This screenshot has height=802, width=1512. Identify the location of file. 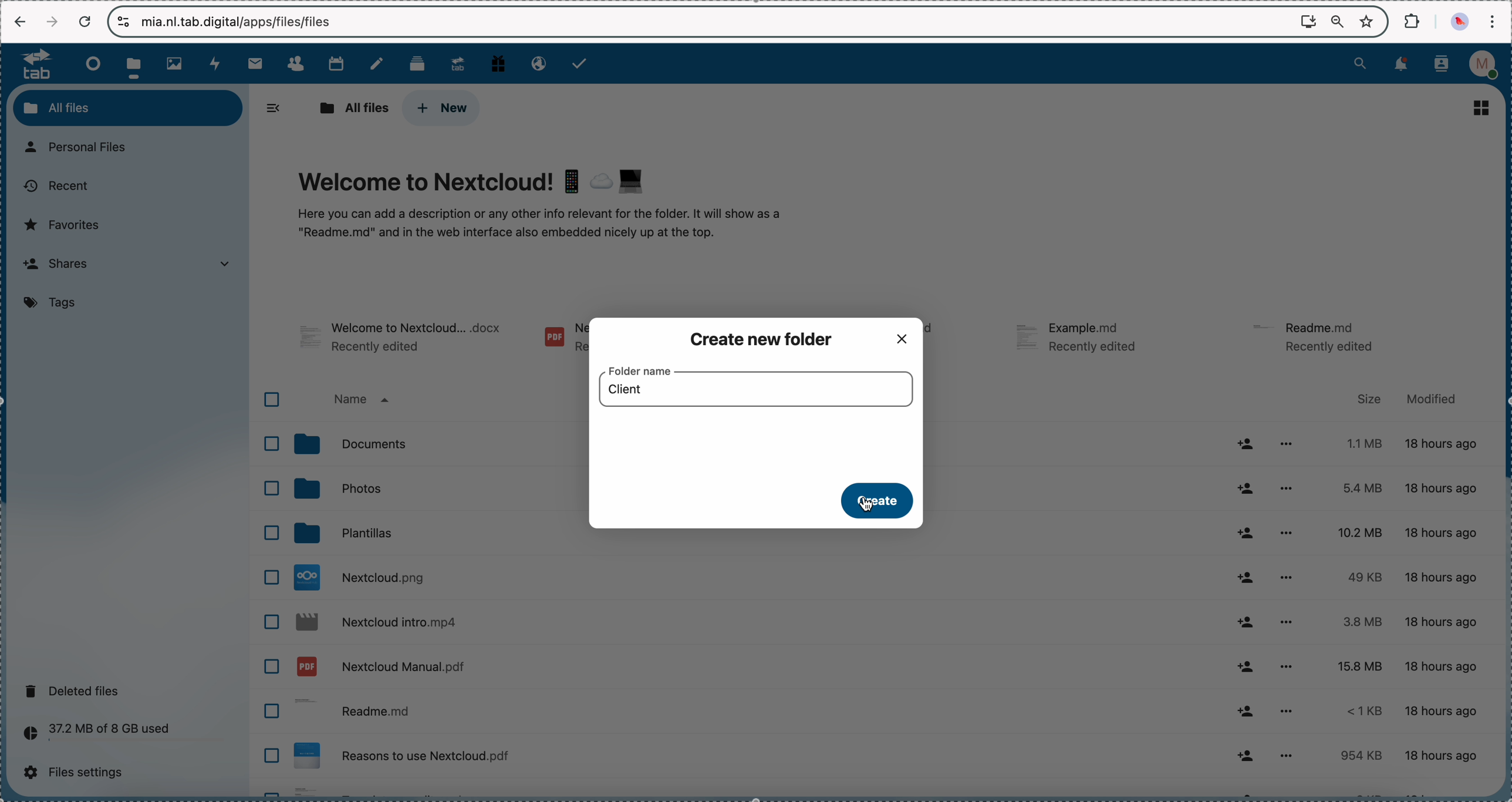
(941, 338).